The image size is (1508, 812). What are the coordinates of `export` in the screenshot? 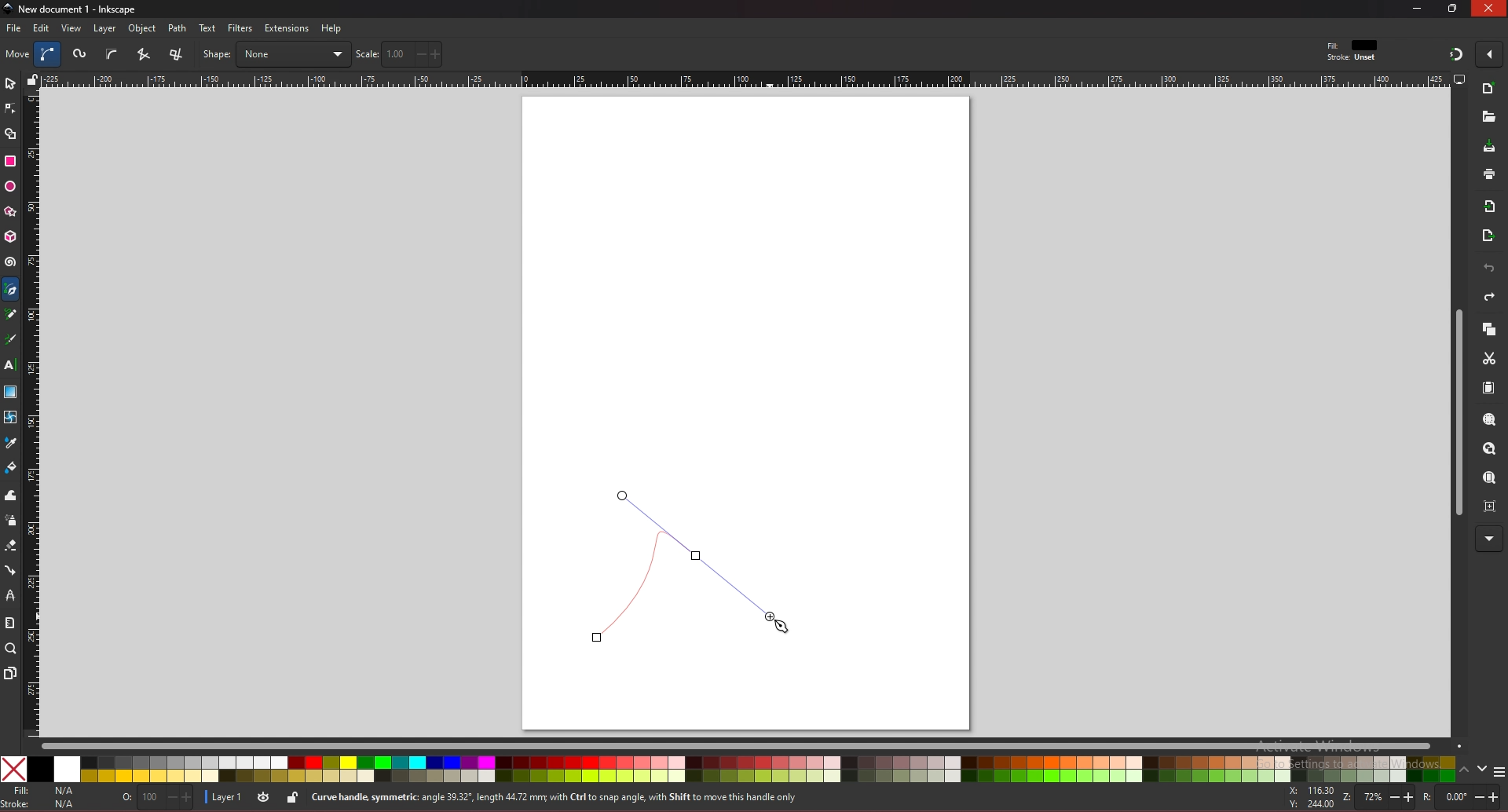 It's located at (1488, 236).